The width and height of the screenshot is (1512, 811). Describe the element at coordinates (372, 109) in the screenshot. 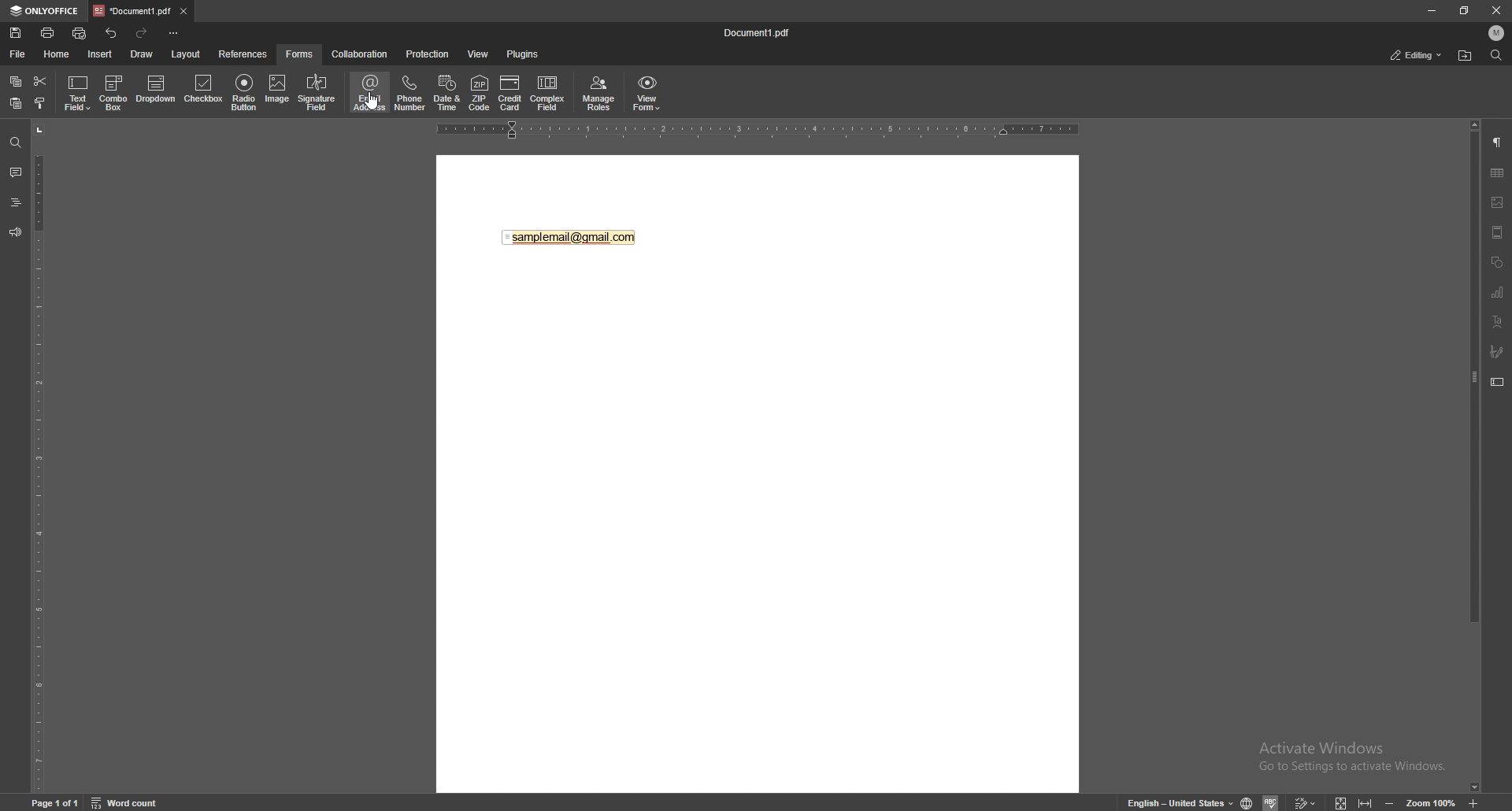

I see `cursor` at that location.